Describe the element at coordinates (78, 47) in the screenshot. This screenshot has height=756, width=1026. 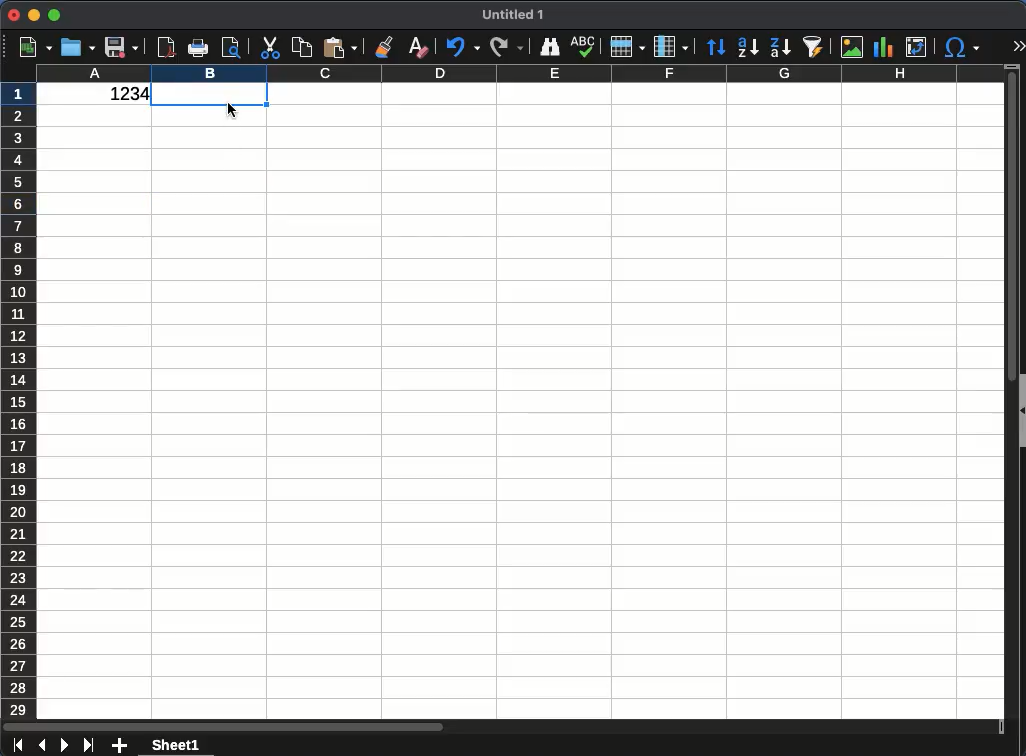
I see `open` at that location.